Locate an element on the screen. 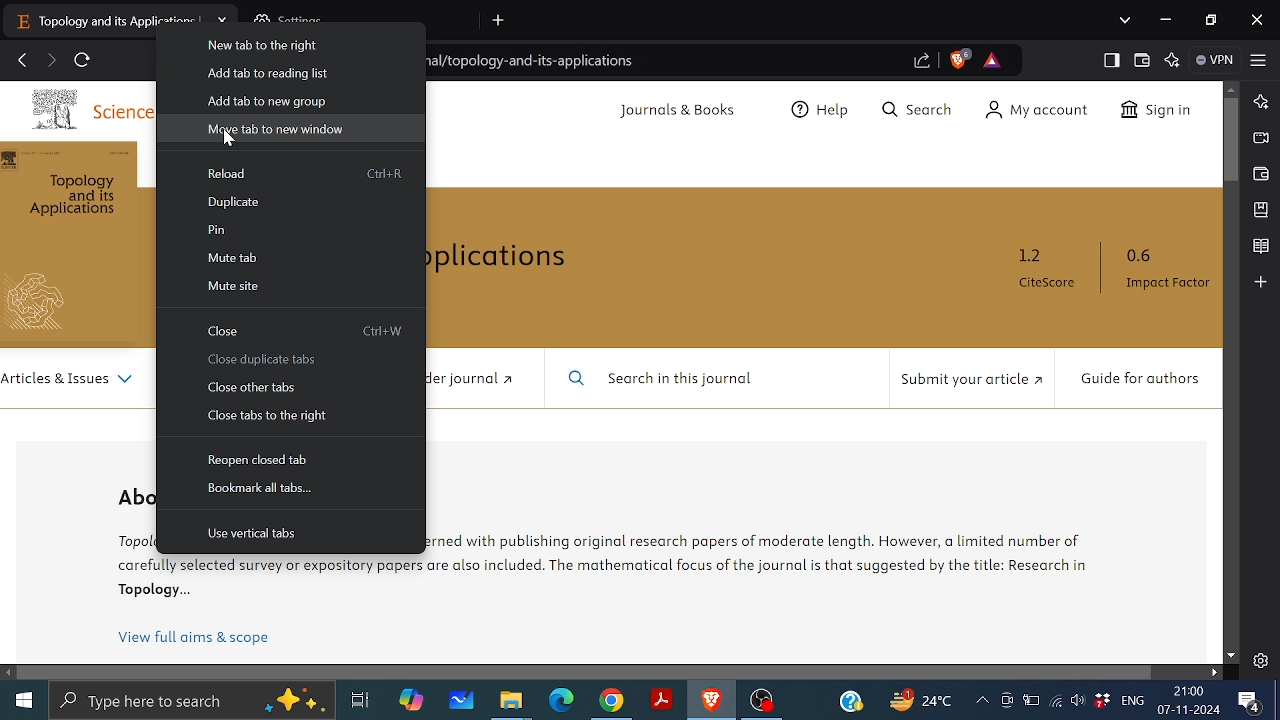 This screenshot has height=720, width=1280. Reopen closed tab is located at coordinates (262, 459).